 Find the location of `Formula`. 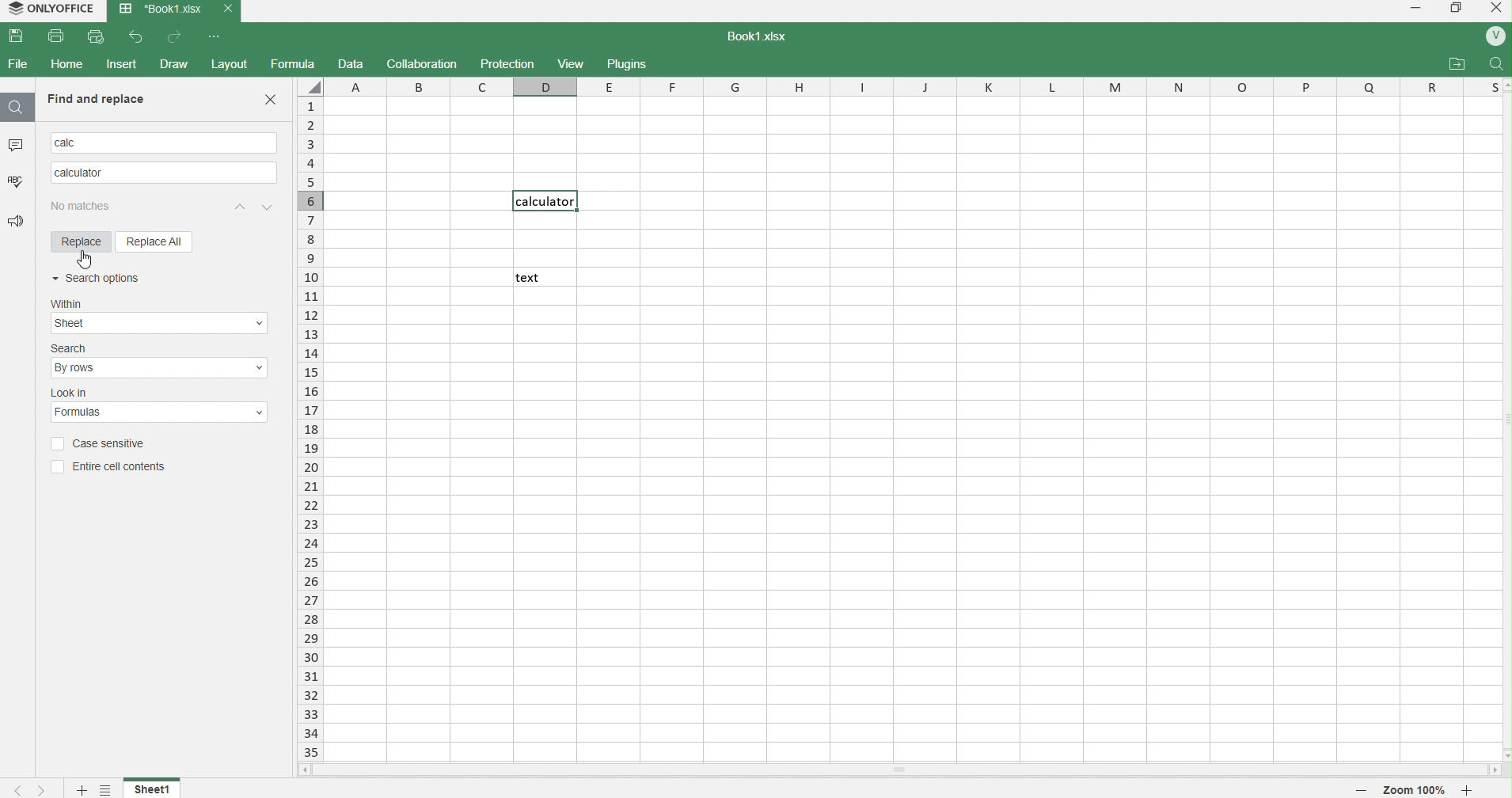

Formula is located at coordinates (233, 503).